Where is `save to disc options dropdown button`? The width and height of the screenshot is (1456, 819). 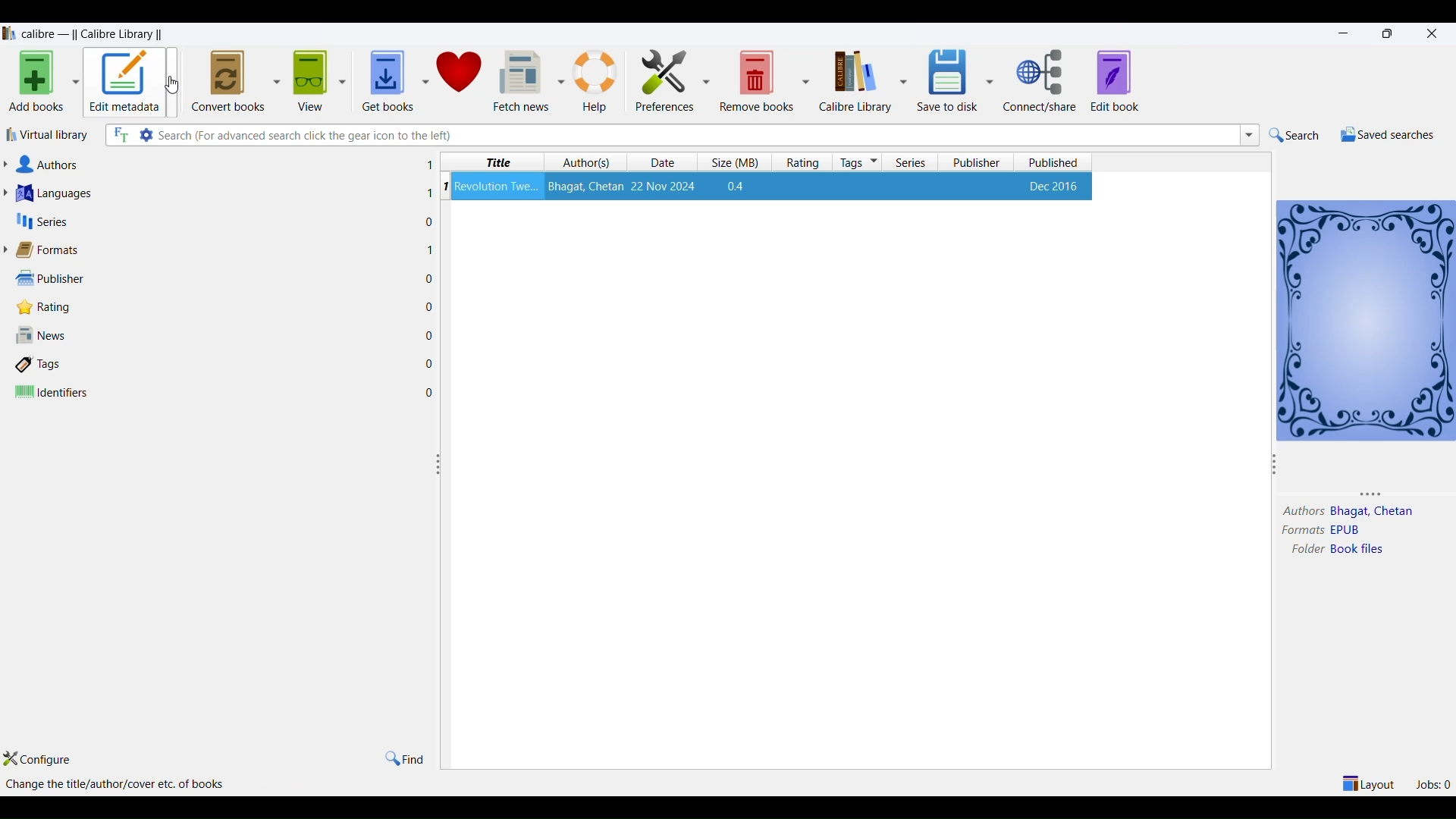 save to disc options dropdown button is located at coordinates (990, 80).